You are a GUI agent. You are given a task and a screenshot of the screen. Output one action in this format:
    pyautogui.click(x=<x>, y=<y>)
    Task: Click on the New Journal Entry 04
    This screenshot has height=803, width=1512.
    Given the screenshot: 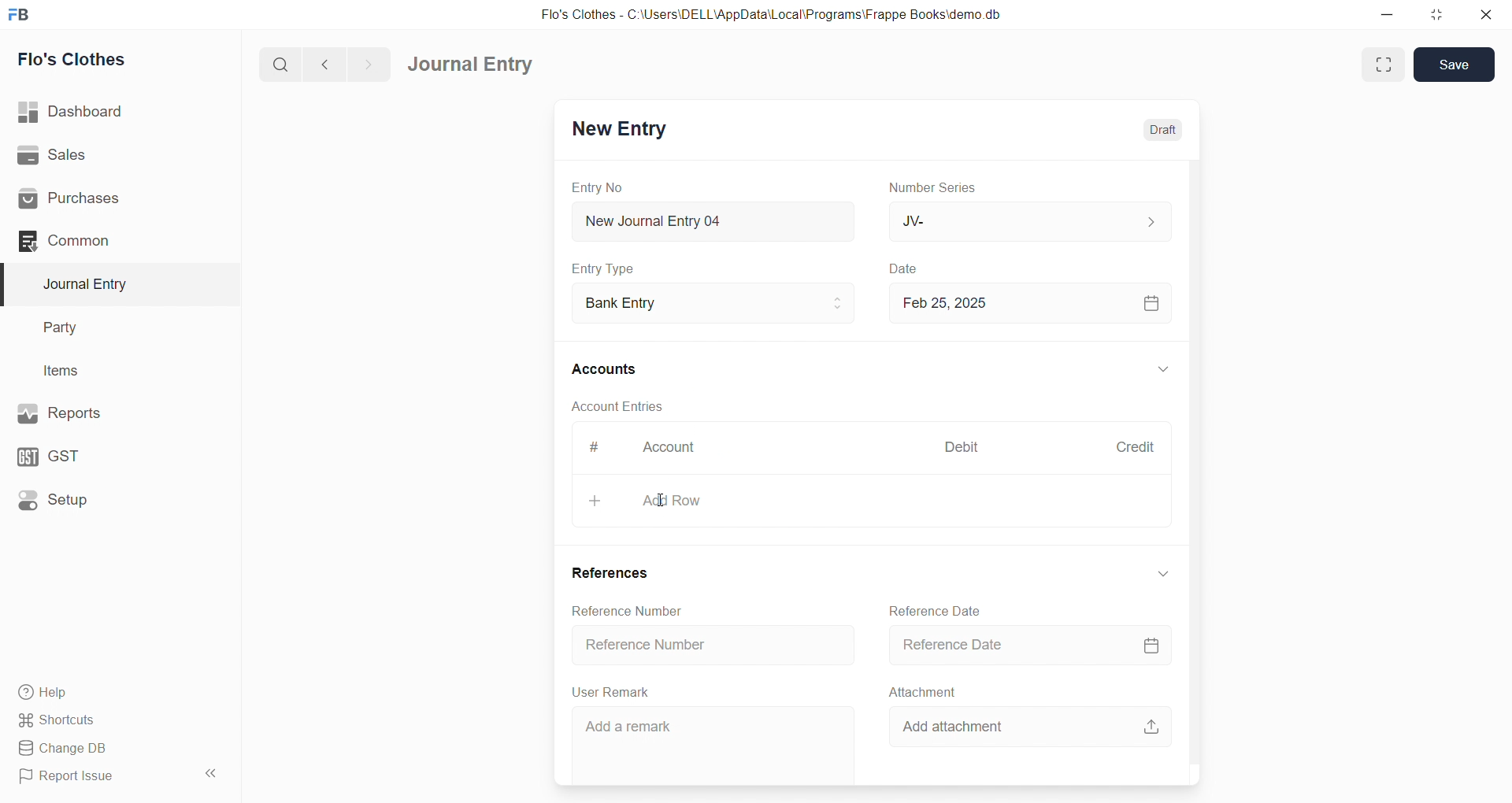 What is the action you would take?
    pyautogui.click(x=710, y=220)
    